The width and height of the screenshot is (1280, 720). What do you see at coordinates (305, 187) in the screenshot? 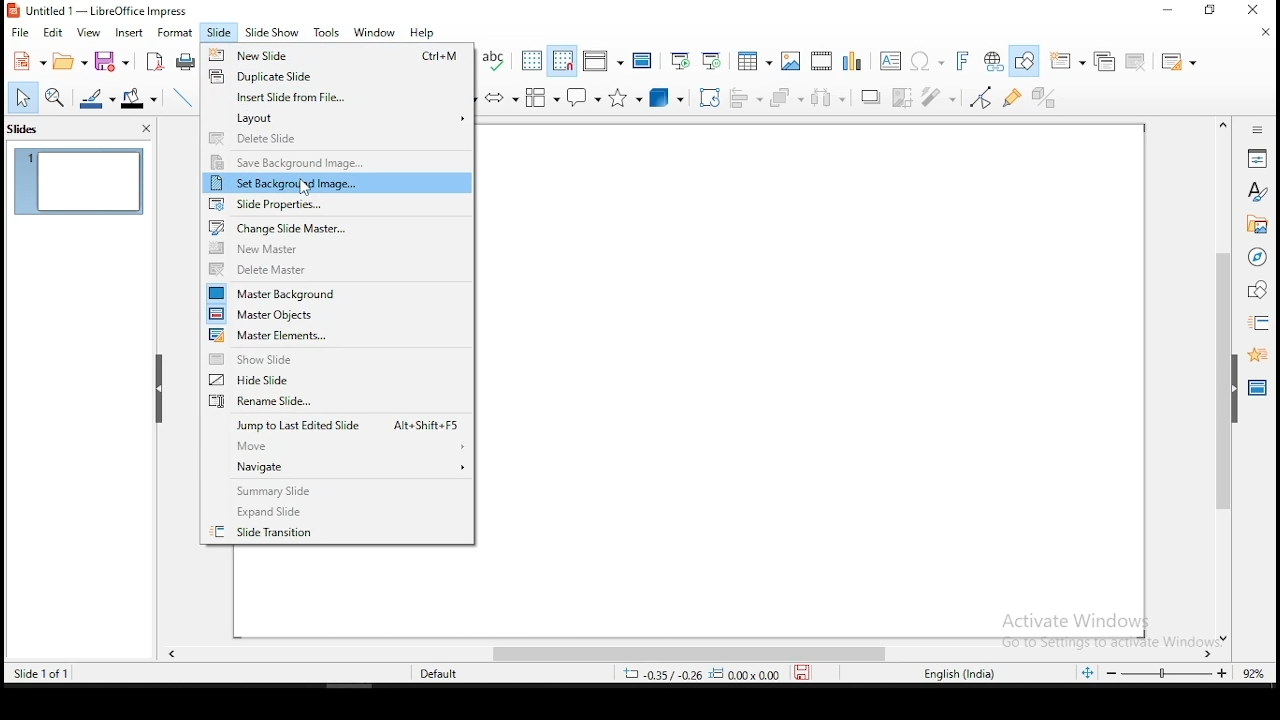
I see `cursor` at bounding box center [305, 187].